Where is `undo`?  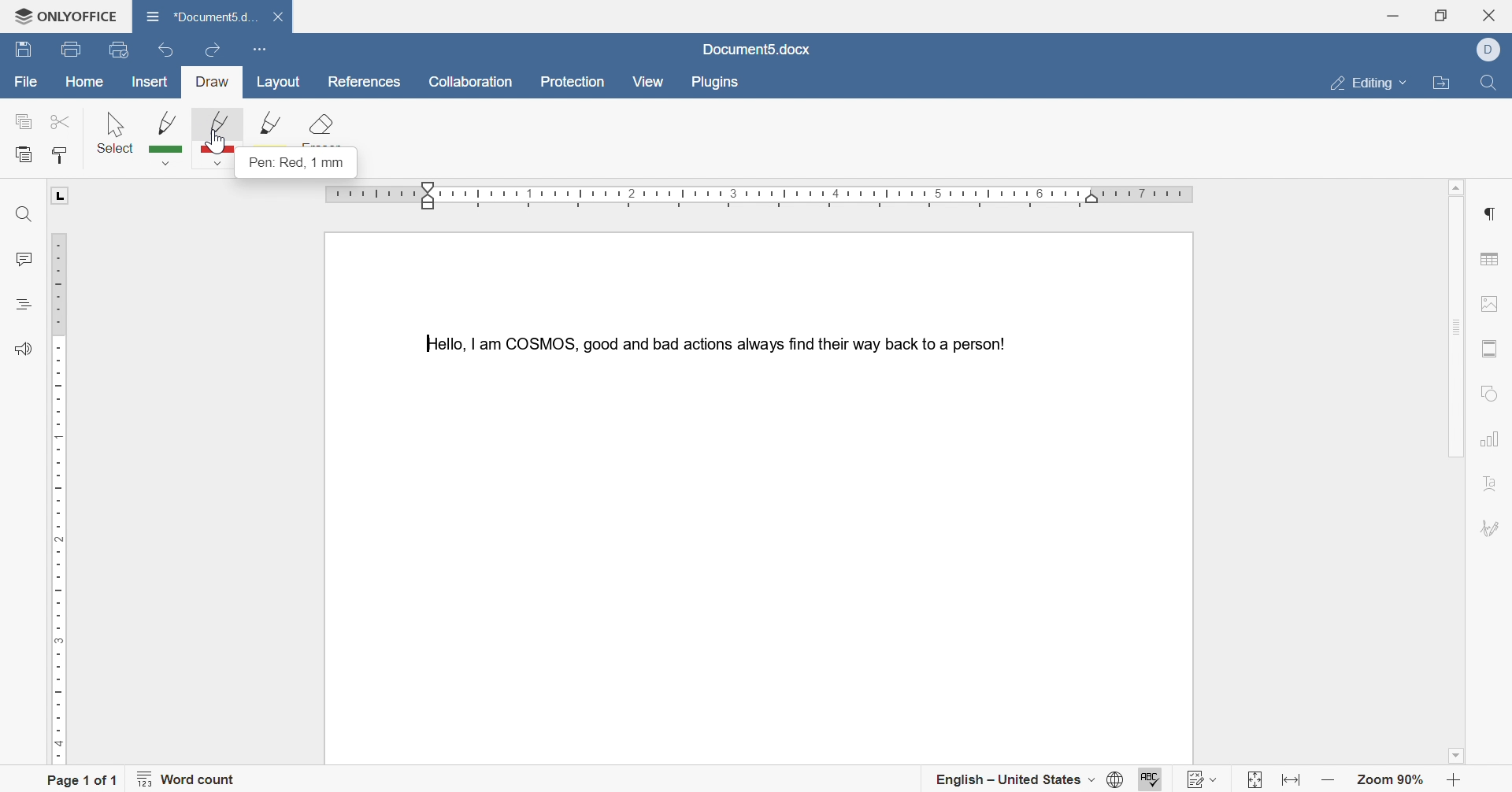
undo is located at coordinates (161, 52).